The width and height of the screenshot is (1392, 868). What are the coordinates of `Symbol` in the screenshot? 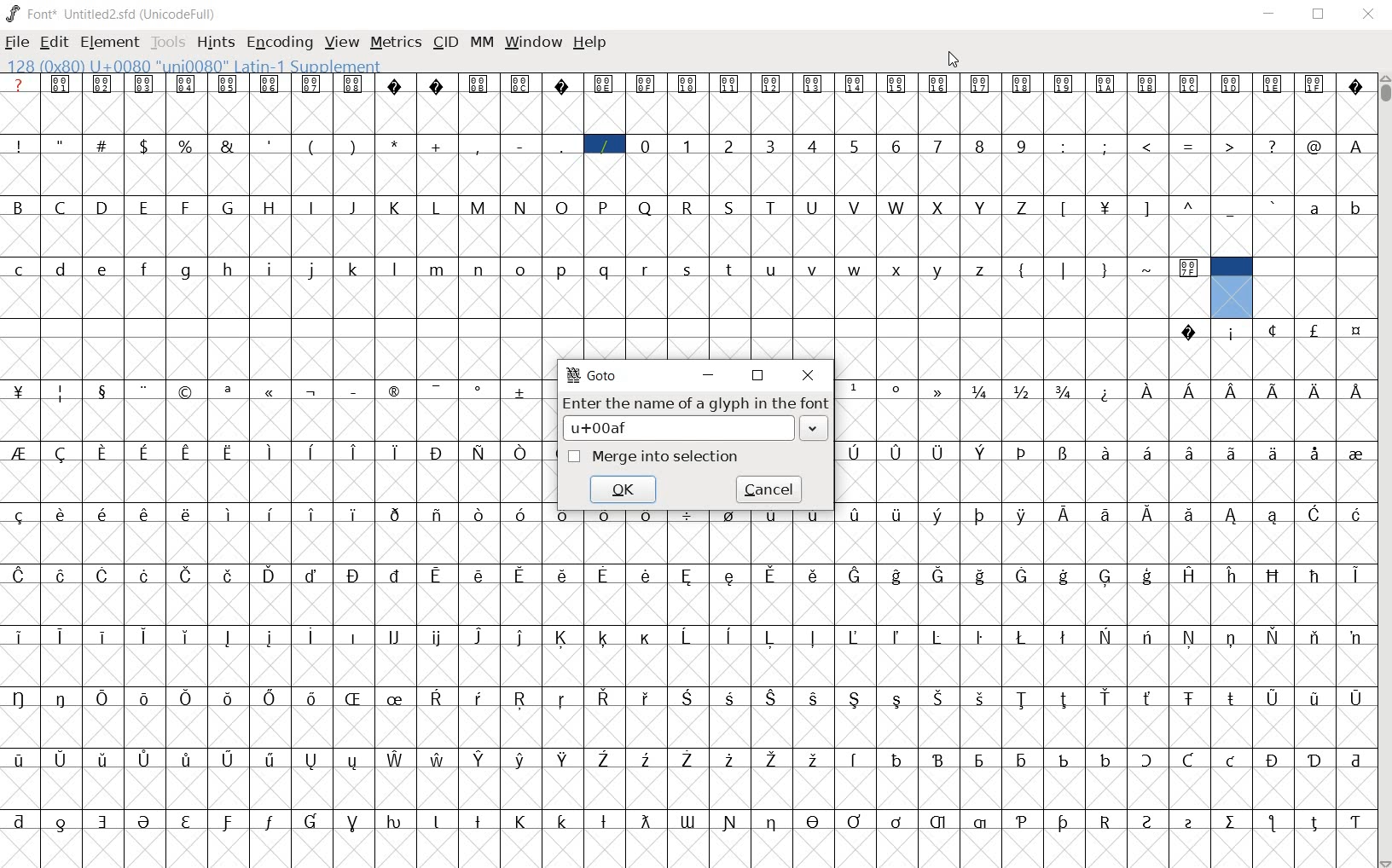 It's located at (396, 821).